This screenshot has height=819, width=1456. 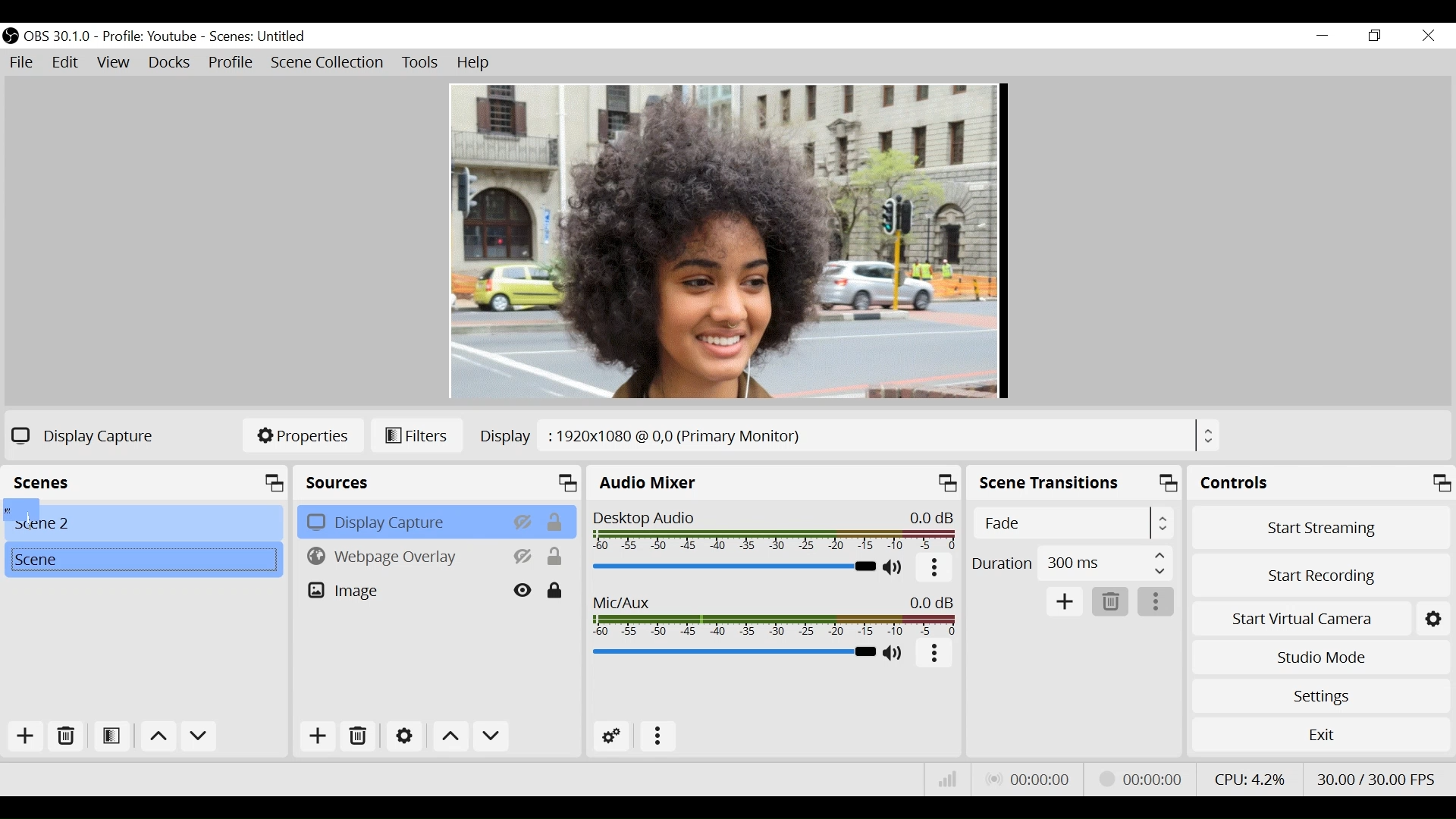 What do you see at coordinates (1156, 601) in the screenshot?
I see `more options` at bounding box center [1156, 601].